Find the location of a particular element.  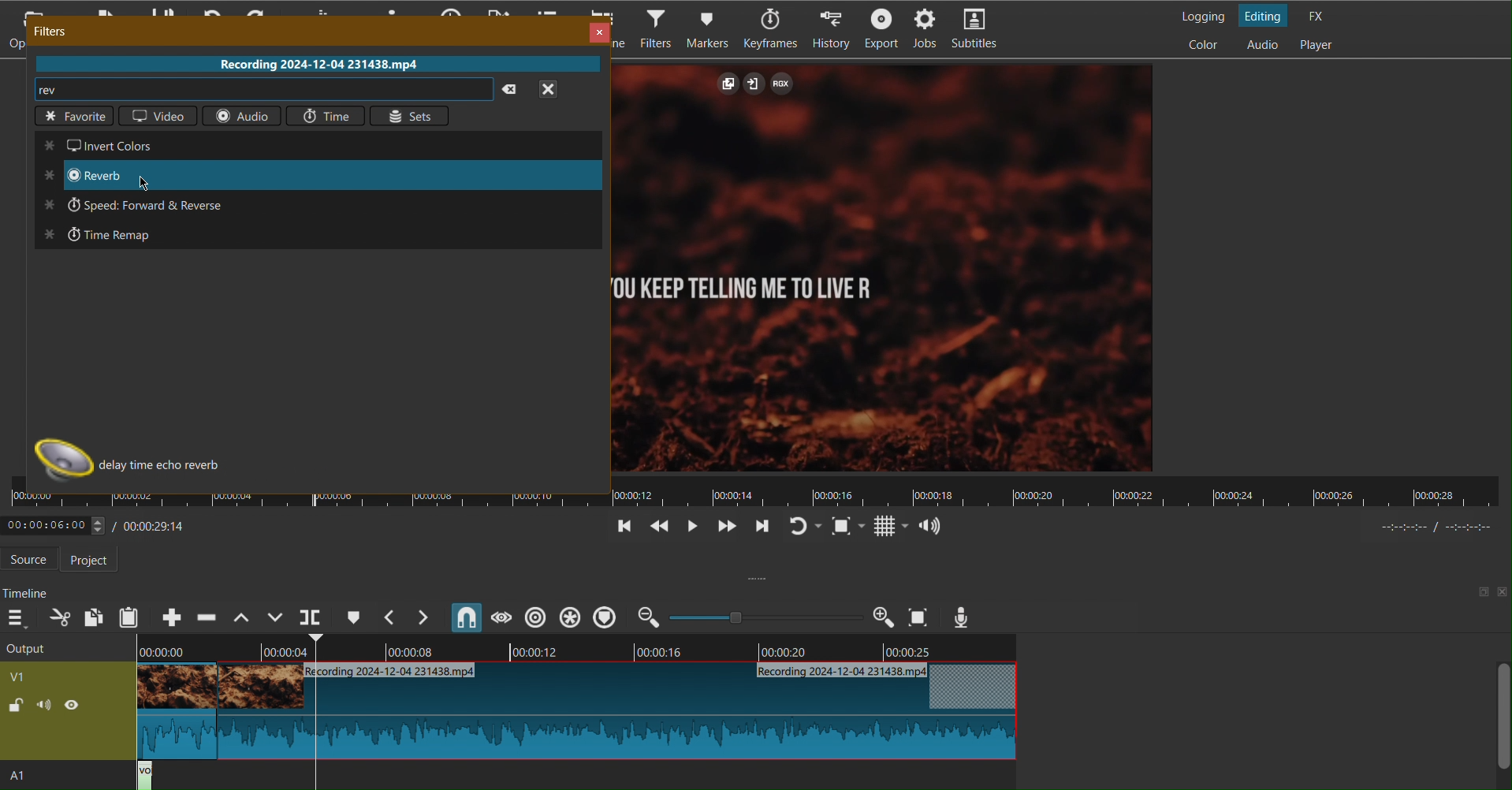

Search bar is located at coordinates (251, 89).